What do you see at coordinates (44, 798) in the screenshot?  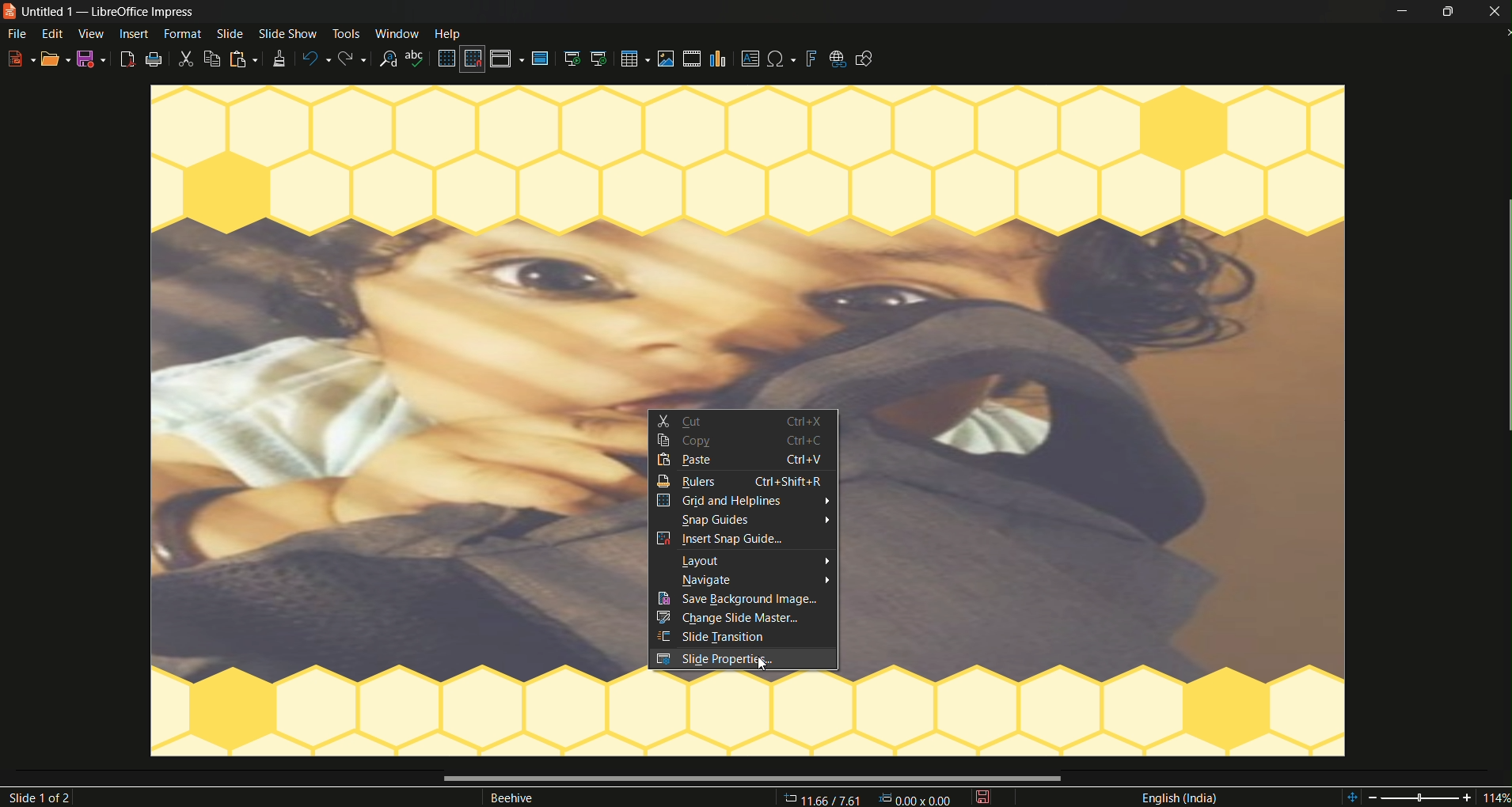 I see `slide 1of2` at bounding box center [44, 798].